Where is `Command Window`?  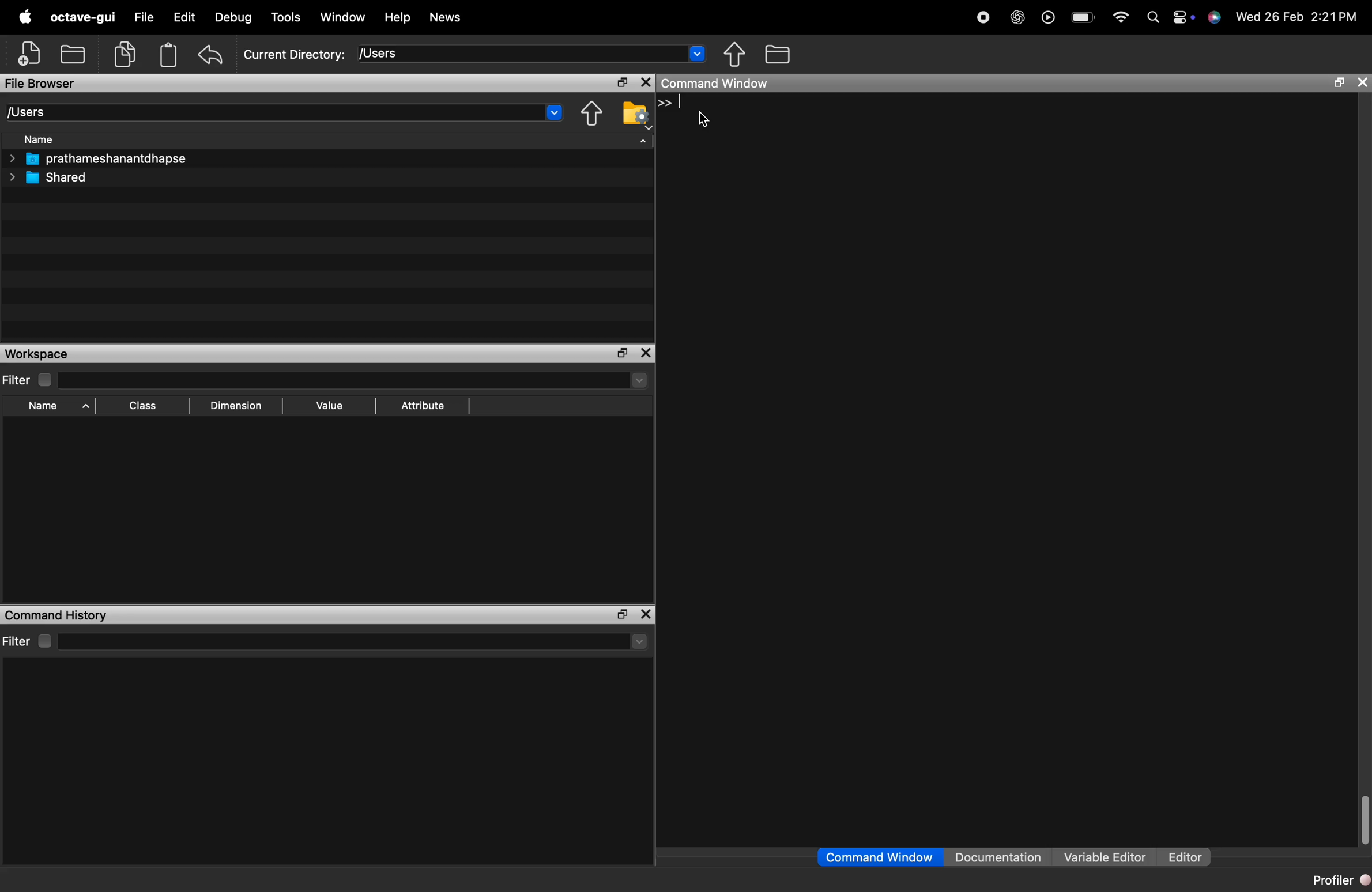
Command Window is located at coordinates (879, 857).